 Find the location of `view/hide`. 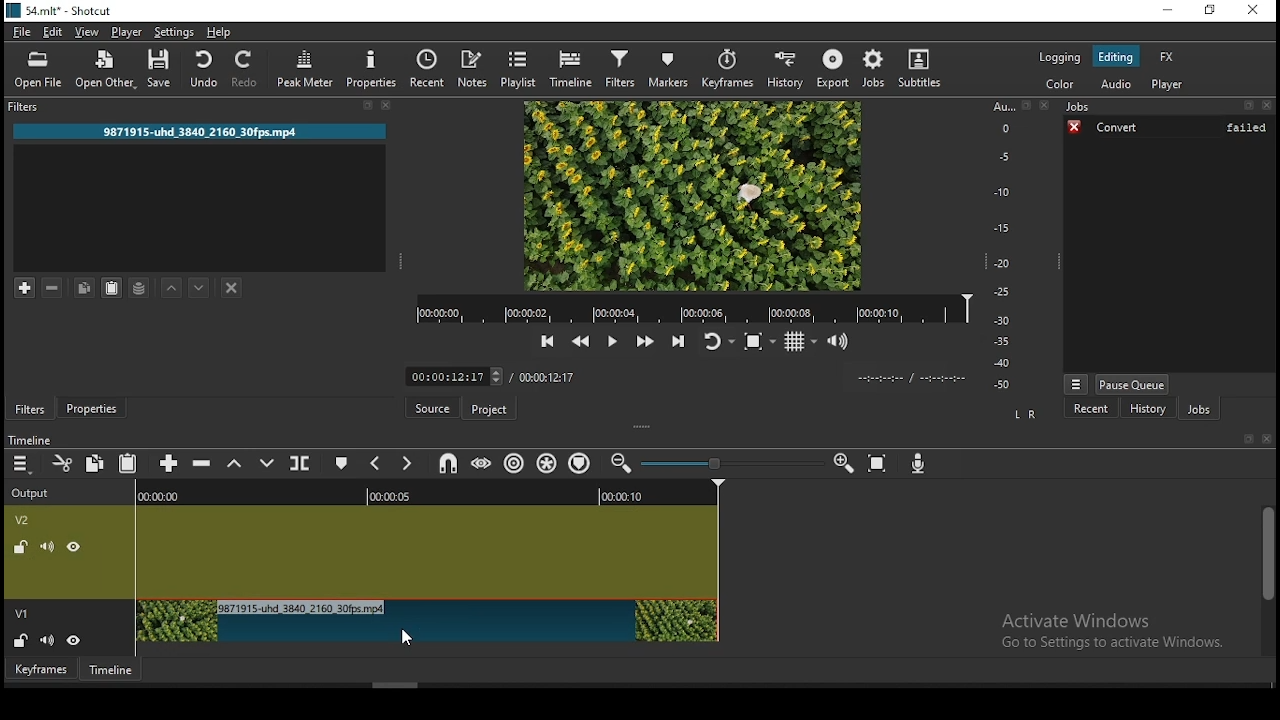

view/hide is located at coordinates (75, 639).